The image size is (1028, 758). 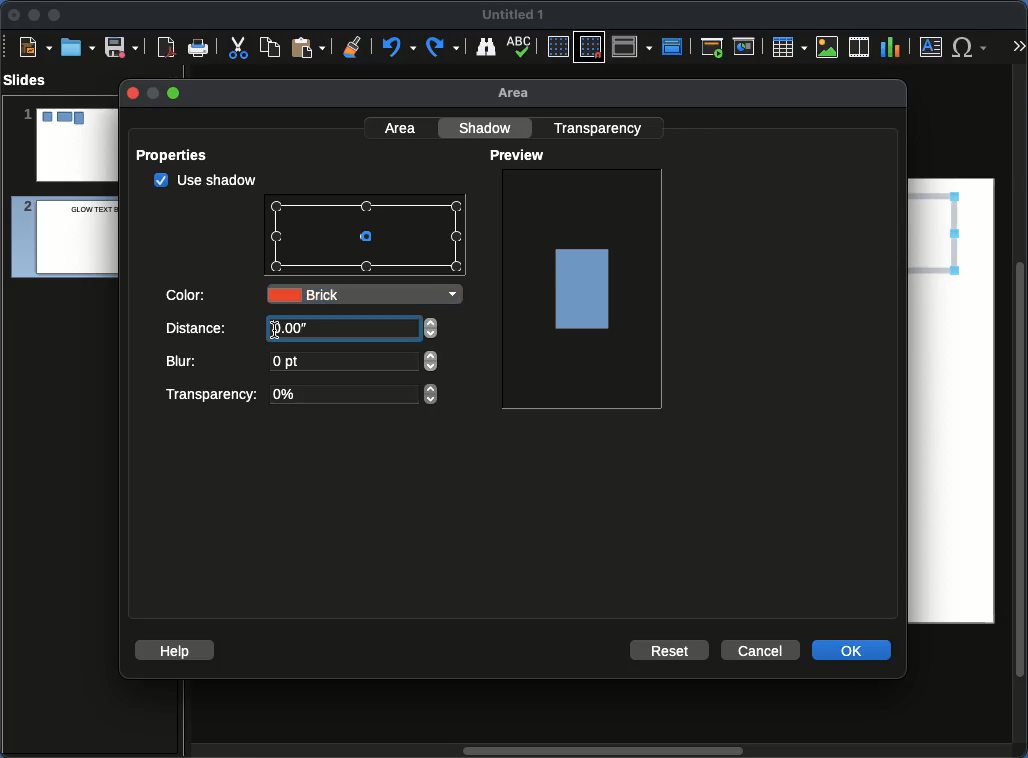 What do you see at coordinates (206, 180) in the screenshot?
I see `checked Use shadow` at bounding box center [206, 180].